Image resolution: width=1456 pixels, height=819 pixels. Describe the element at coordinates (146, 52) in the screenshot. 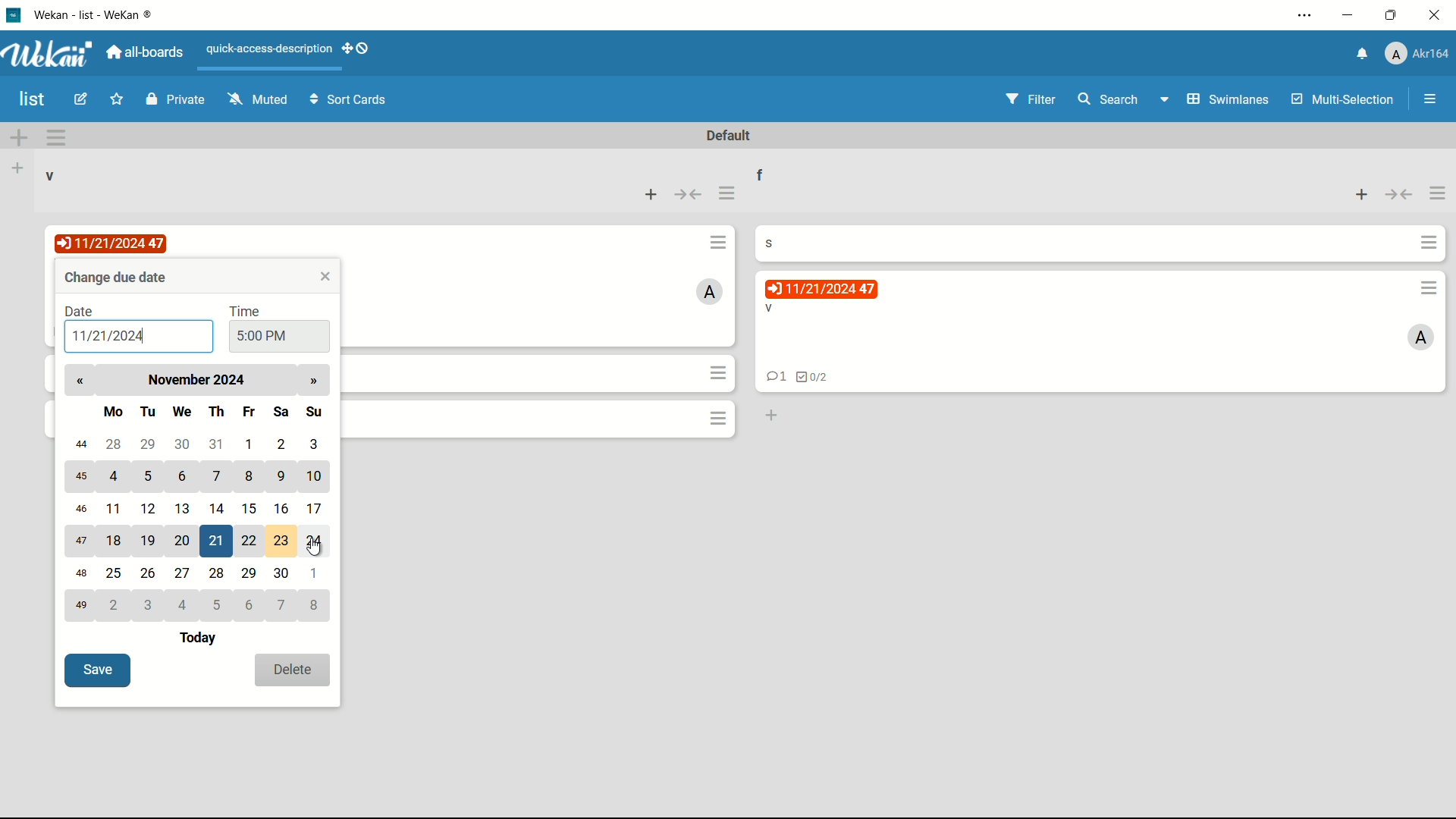

I see `all boards` at that location.